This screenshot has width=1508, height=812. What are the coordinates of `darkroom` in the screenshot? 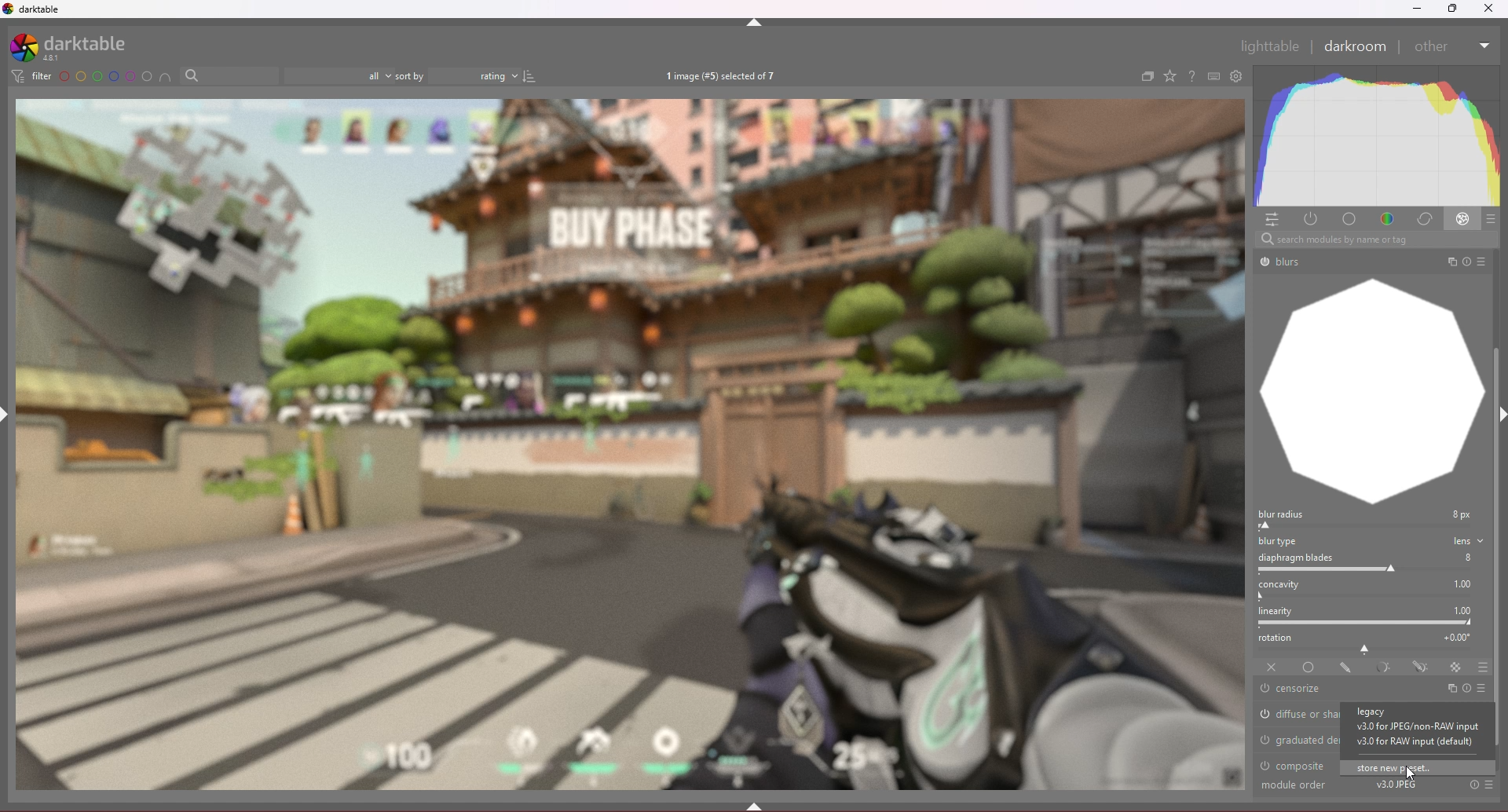 It's located at (1356, 46).